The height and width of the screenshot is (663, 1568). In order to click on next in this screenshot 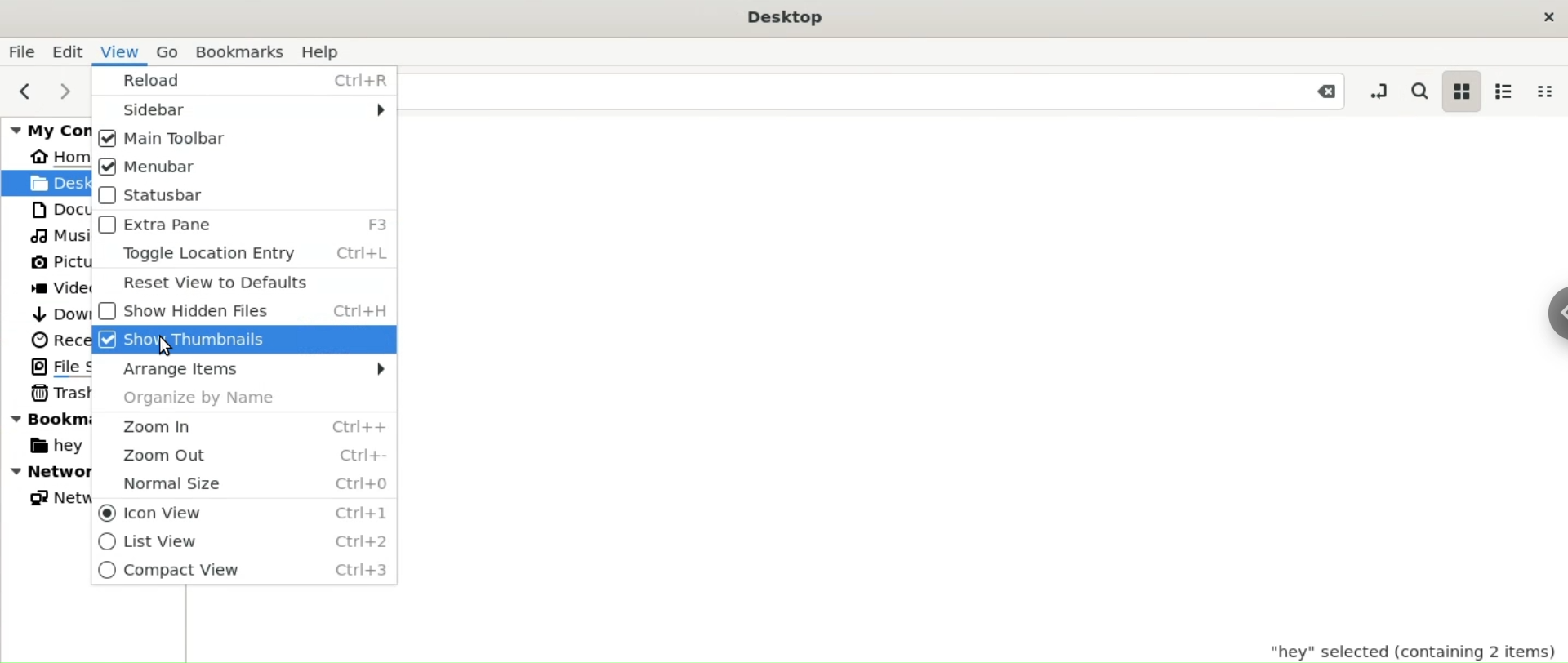, I will do `click(60, 92)`.